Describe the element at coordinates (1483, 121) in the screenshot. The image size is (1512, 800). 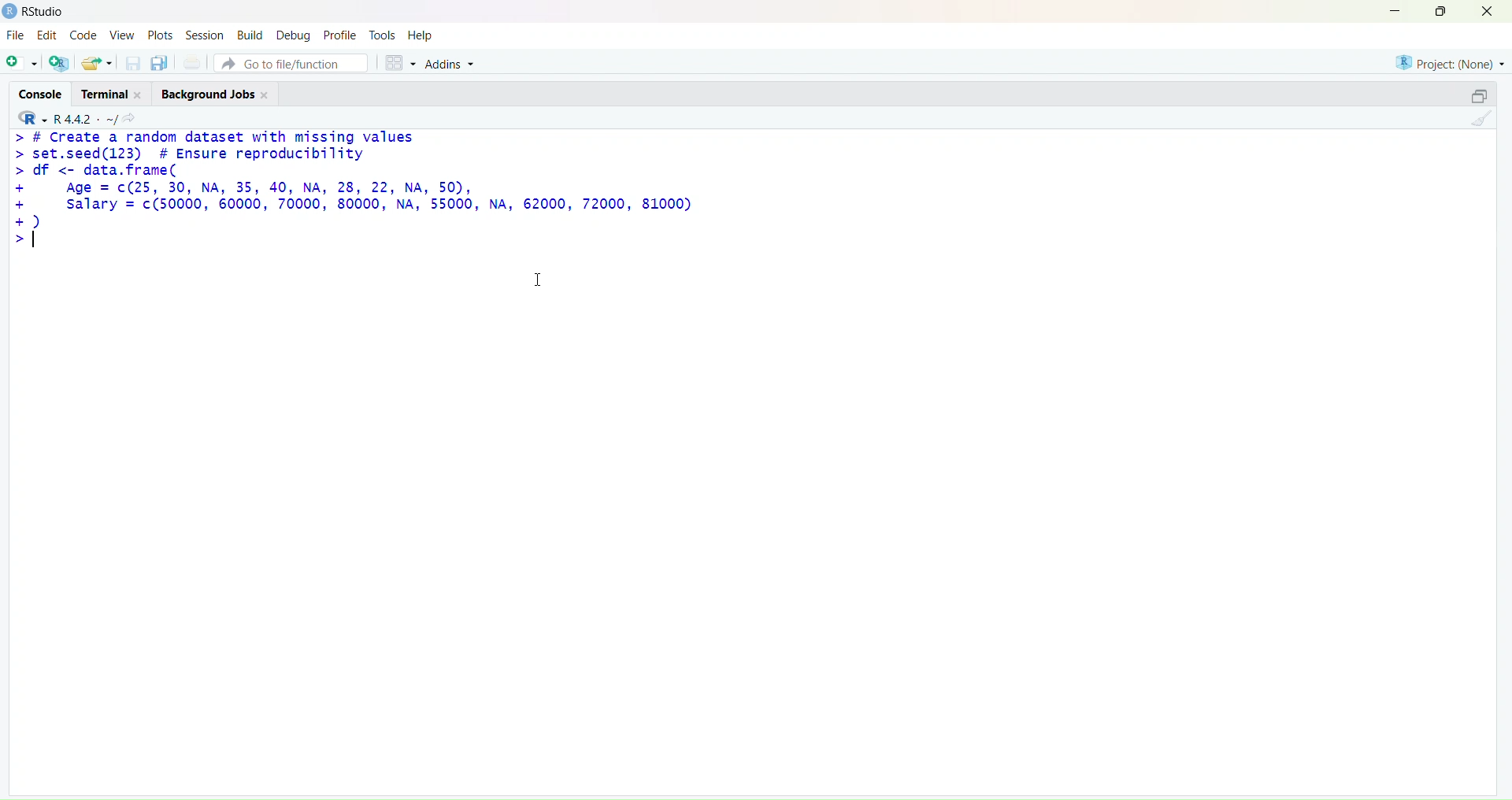
I see `clear console ` at that location.